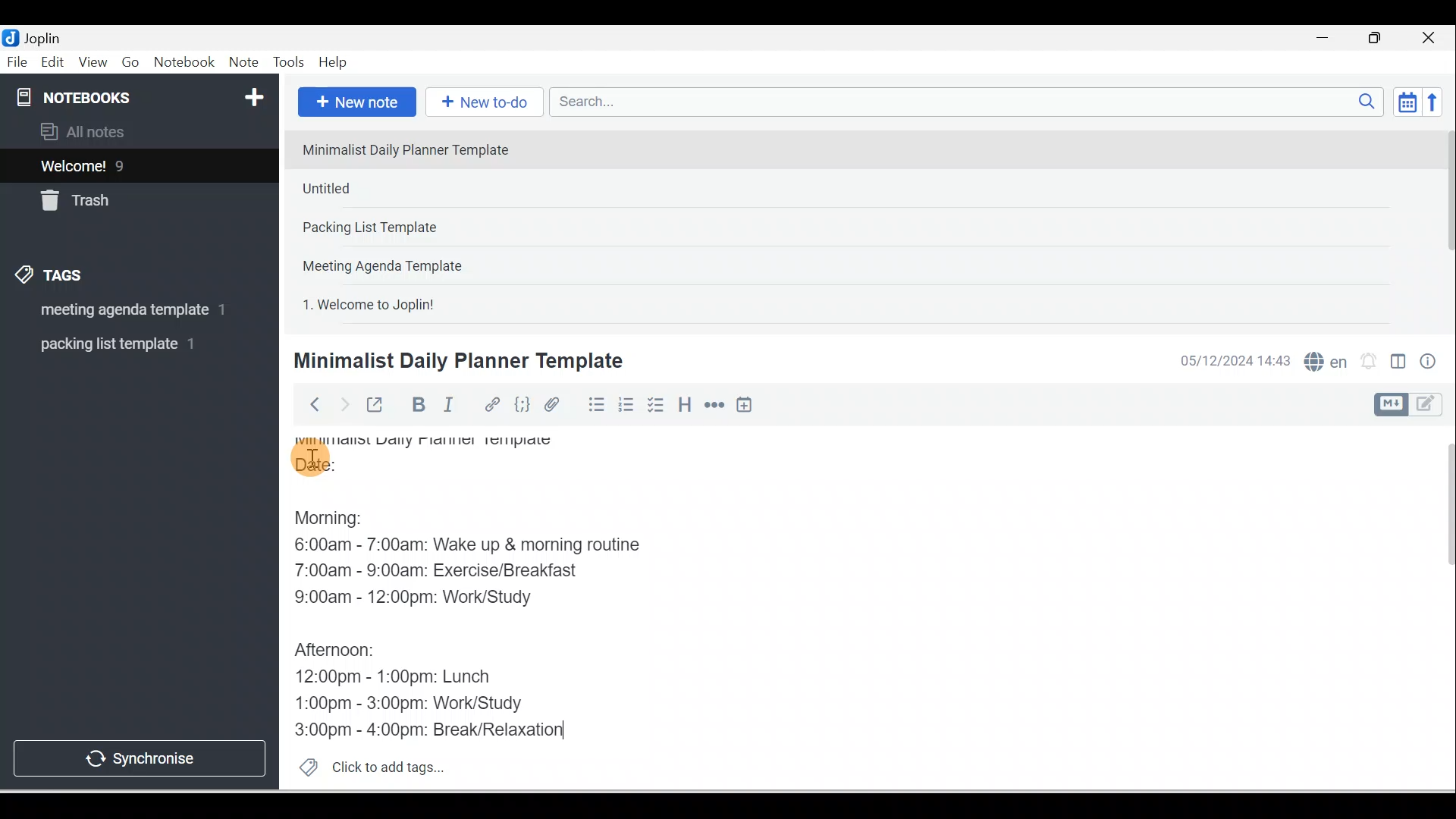 Image resolution: width=1456 pixels, height=819 pixels. Describe the element at coordinates (1429, 363) in the screenshot. I see `Note properties` at that location.